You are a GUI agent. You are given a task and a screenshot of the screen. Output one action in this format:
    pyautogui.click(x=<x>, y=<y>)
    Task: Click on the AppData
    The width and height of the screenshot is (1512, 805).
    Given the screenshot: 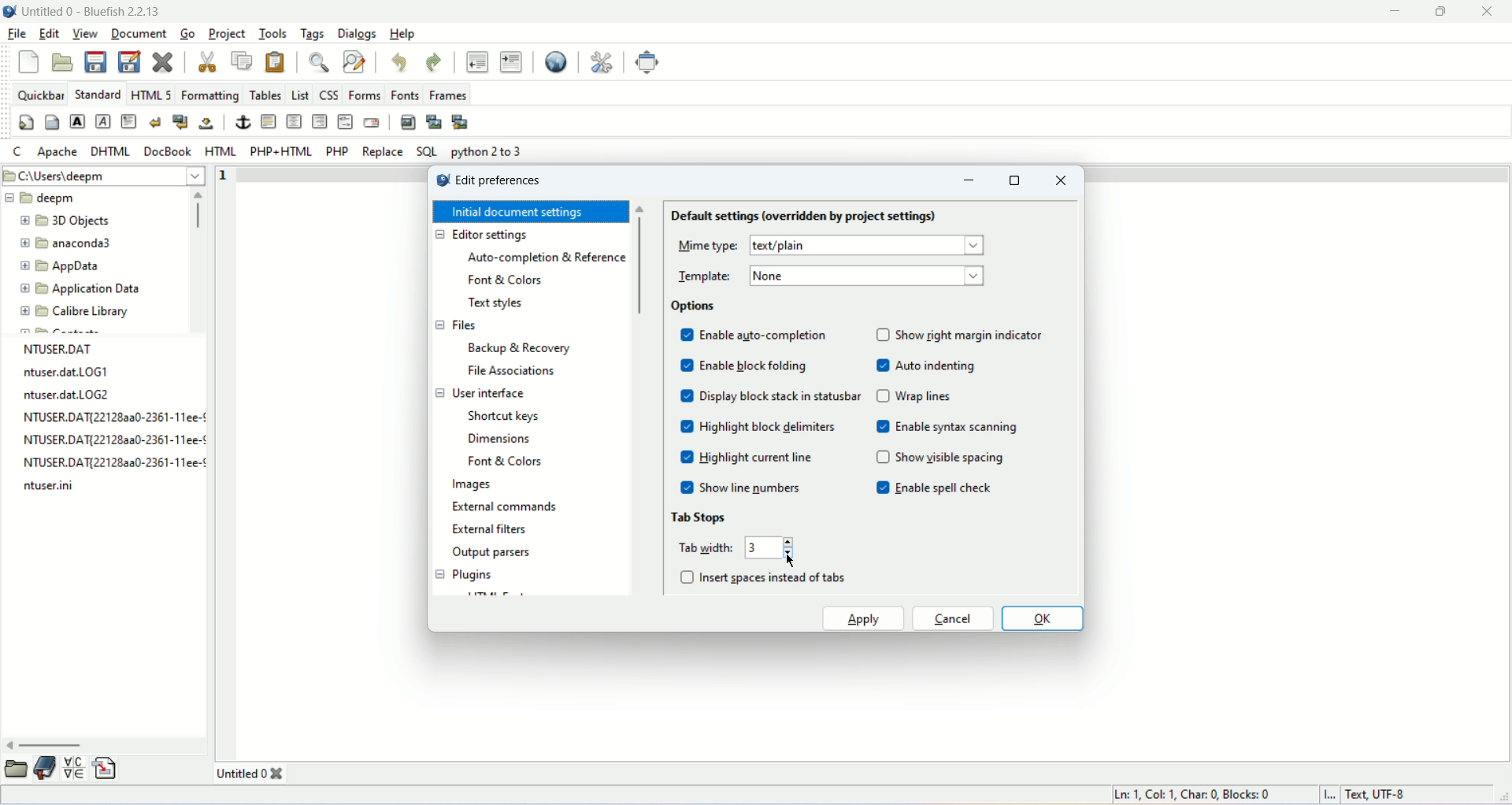 What is the action you would take?
    pyautogui.click(x=83, y=268)
    